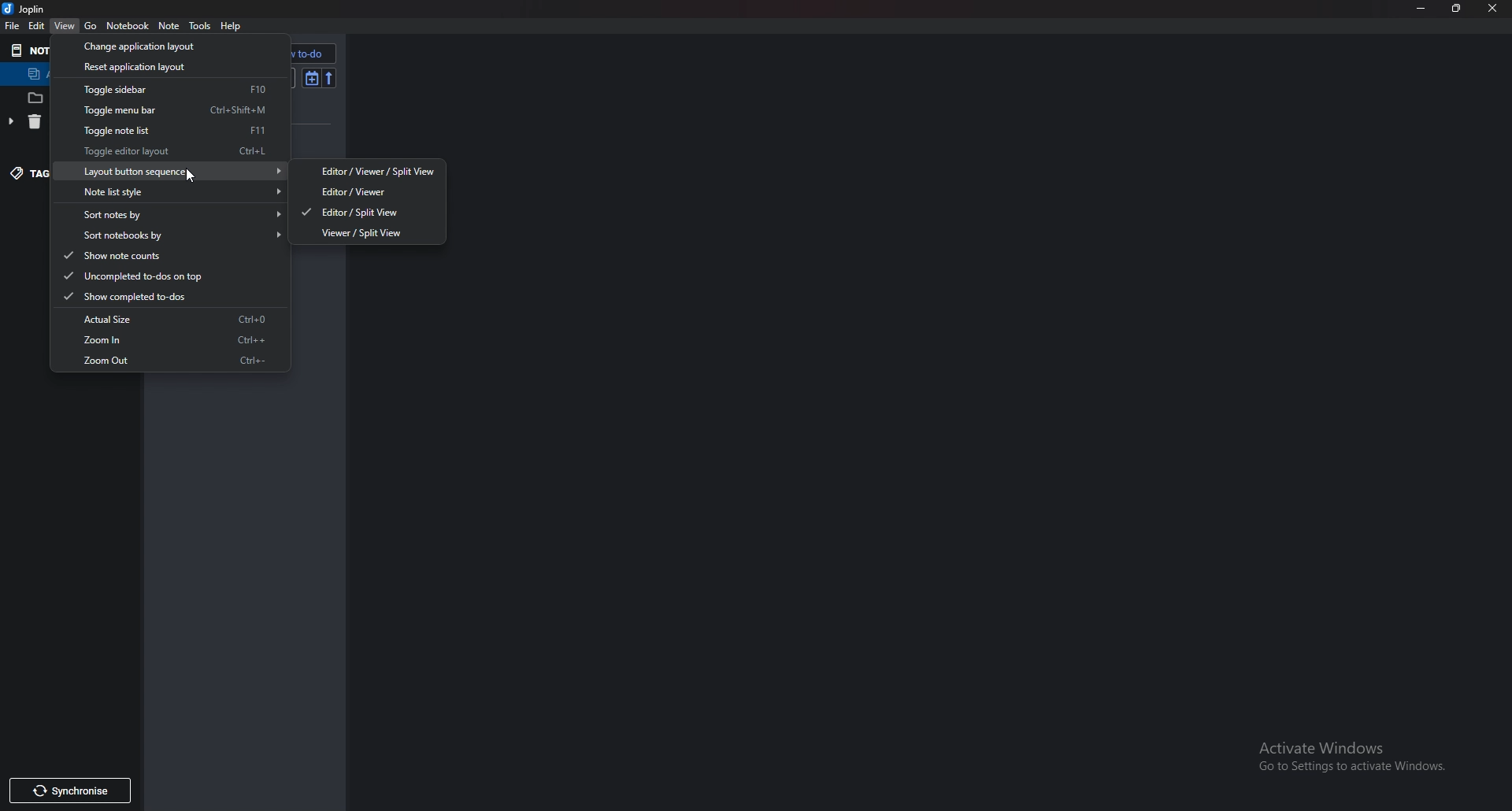 This screenshot has width=1512, height=811. Describe the element at coordinates (310, 78) in the screenshot. I see `Toggle sort order` at that location.